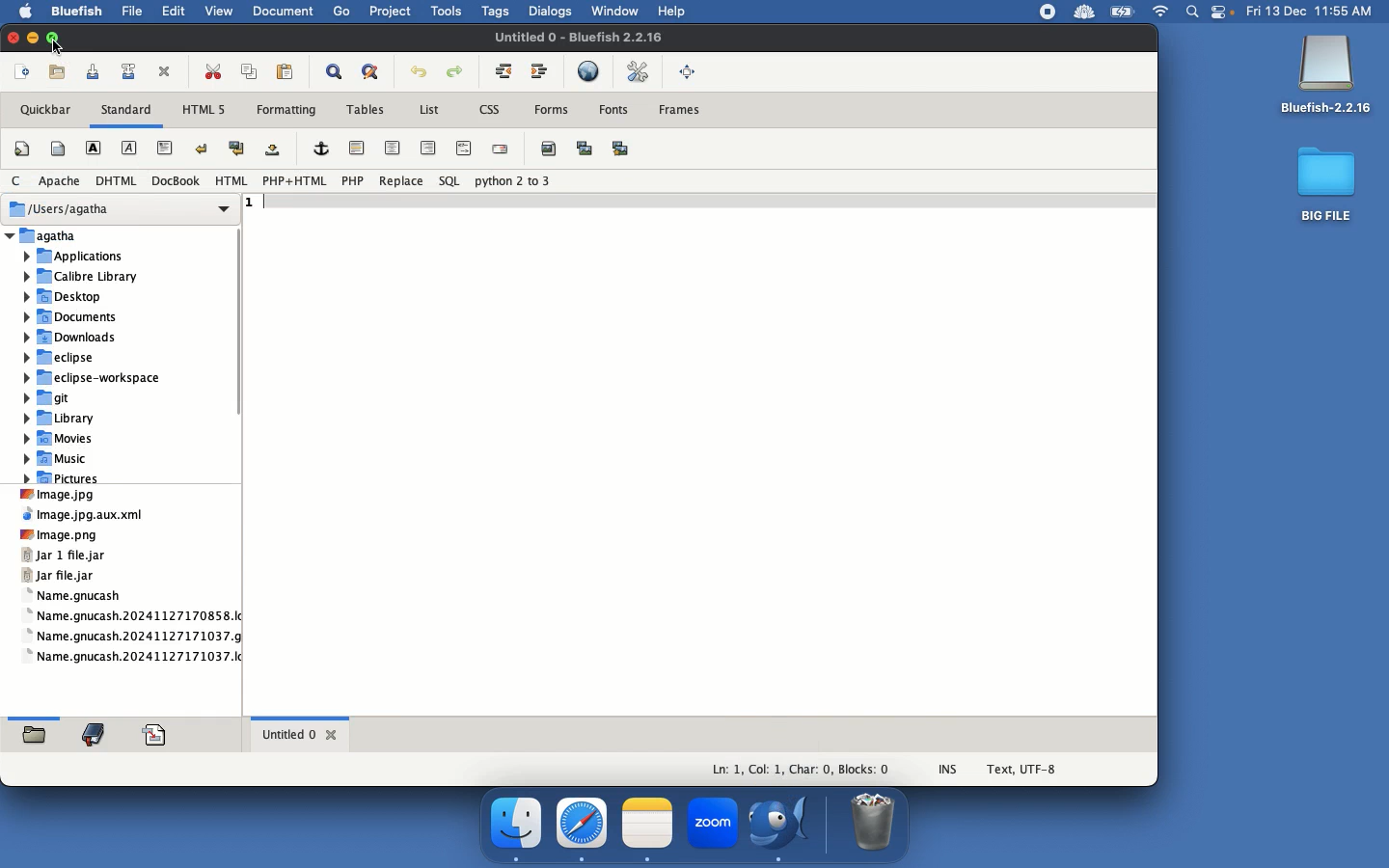 The image size is (1389, 868). I want to click on Close, so click(167, 70).